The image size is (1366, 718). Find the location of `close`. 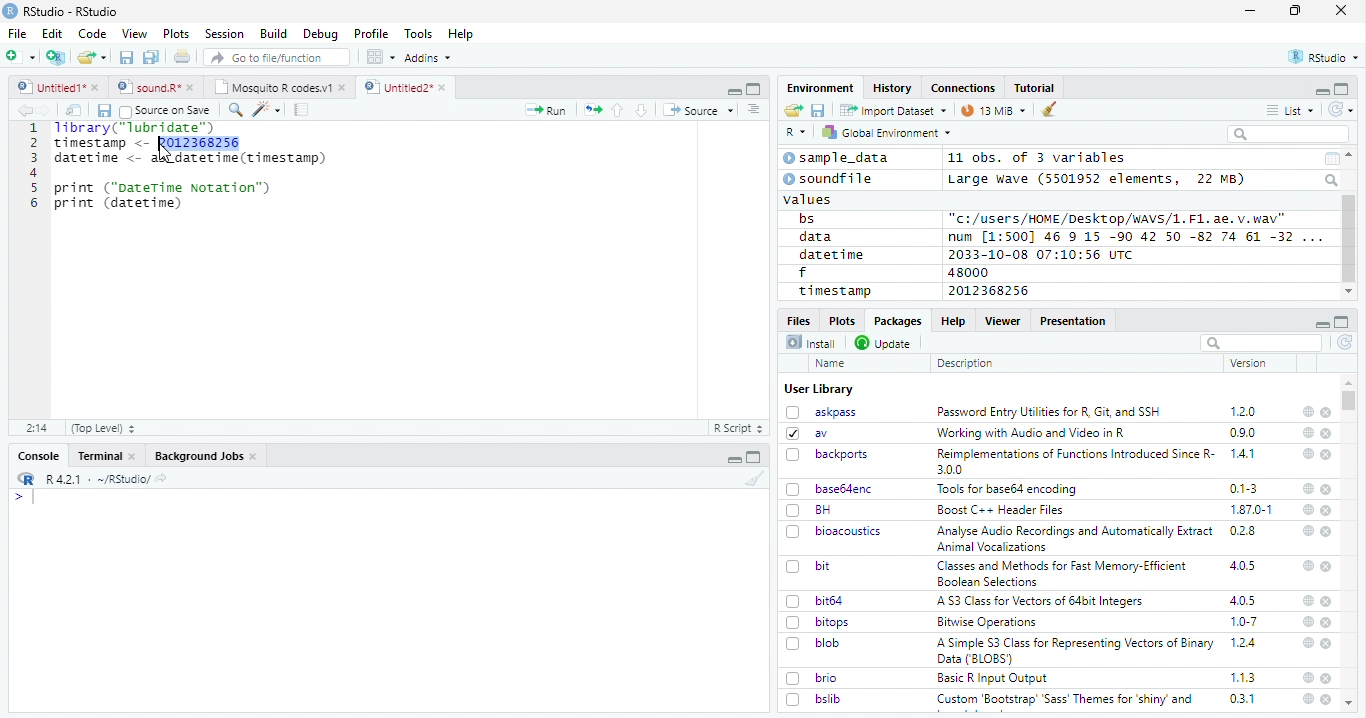

close is located at coordinates (1328, 532).